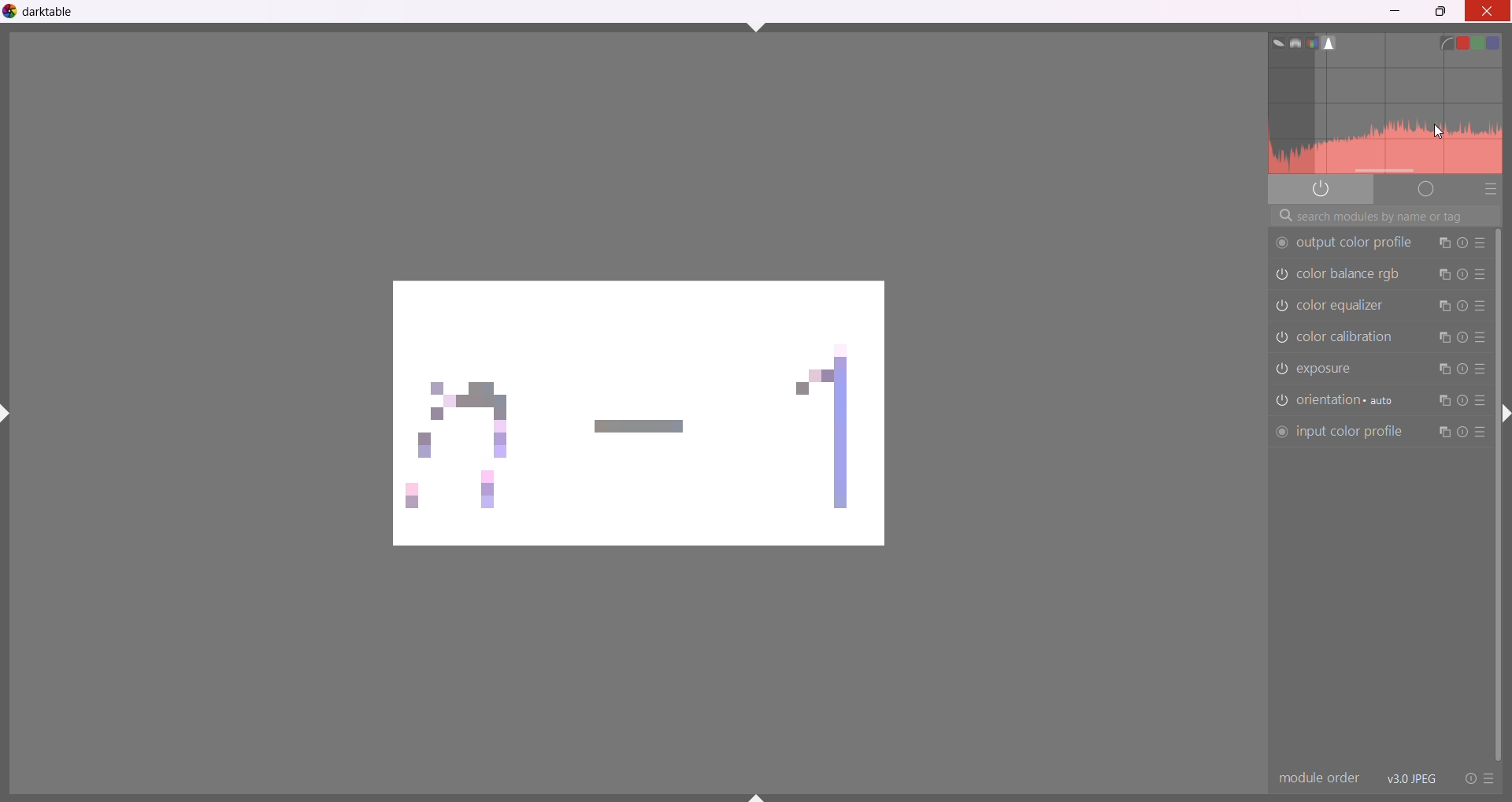 The height and width of the screenshot is (802, 1512). What do you see at coordinates (1346, 304) in the screenshot?
I see `color equalizor` at bounding box center [1346, 304].